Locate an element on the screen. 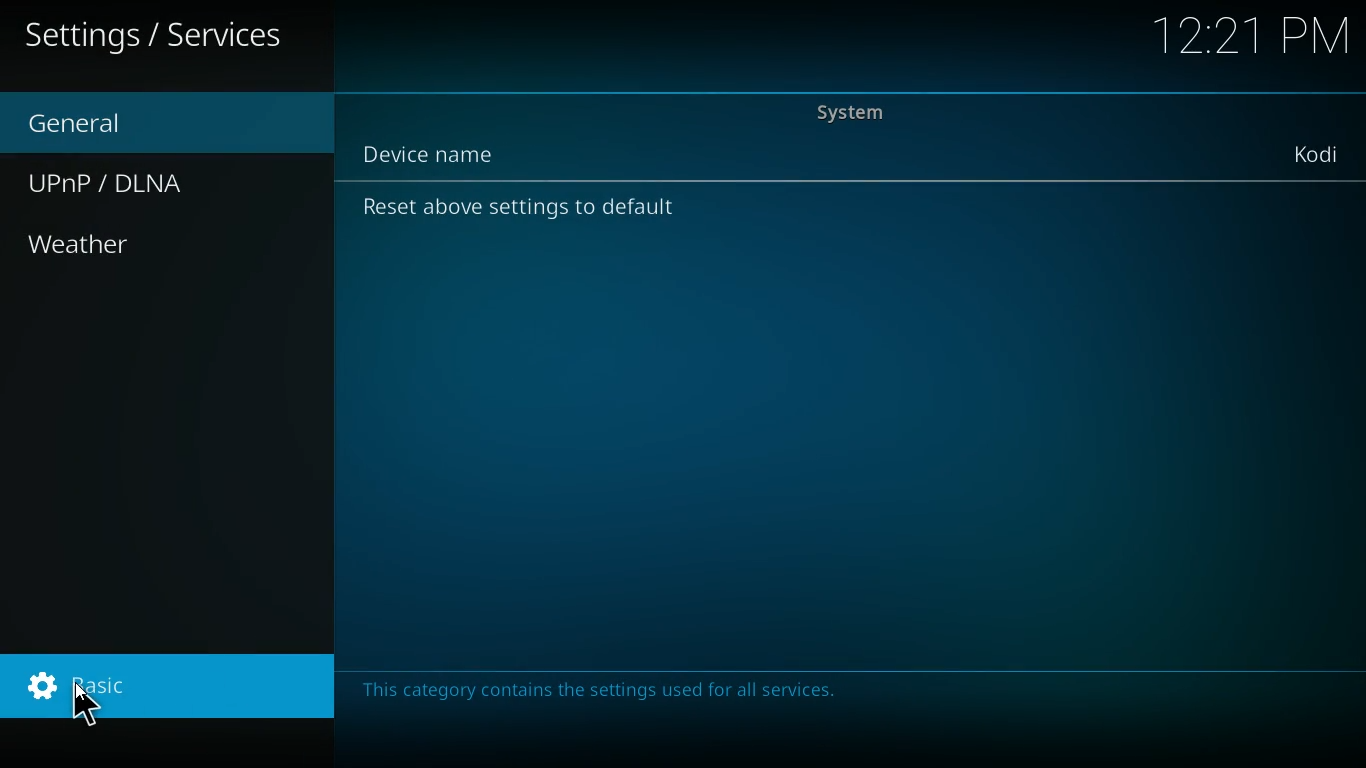 This screenshot has width=1366, height=768. settings / services is located at coordinates (156, 36).